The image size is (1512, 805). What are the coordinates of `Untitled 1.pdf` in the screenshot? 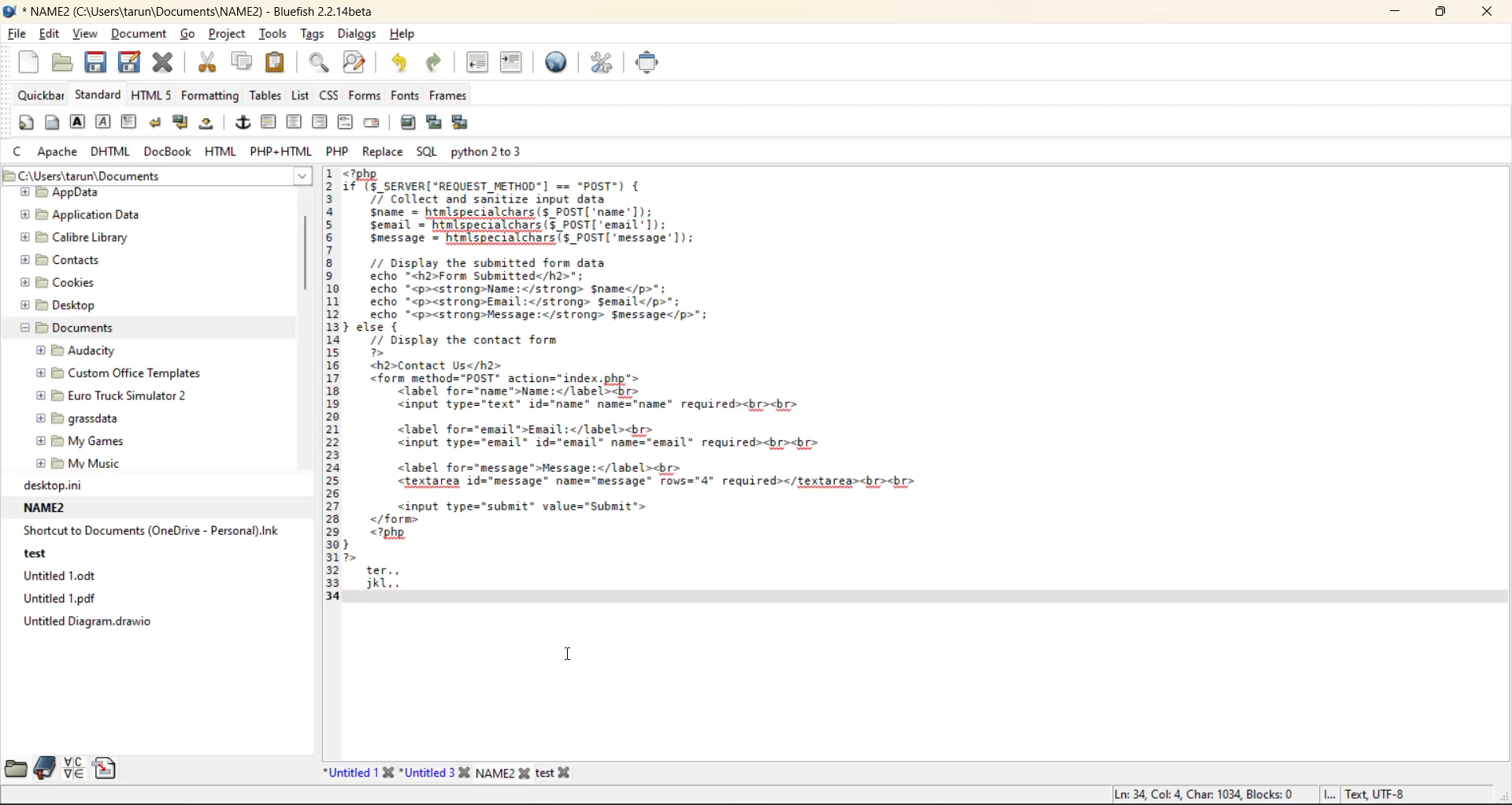 It's located at (57, 600).